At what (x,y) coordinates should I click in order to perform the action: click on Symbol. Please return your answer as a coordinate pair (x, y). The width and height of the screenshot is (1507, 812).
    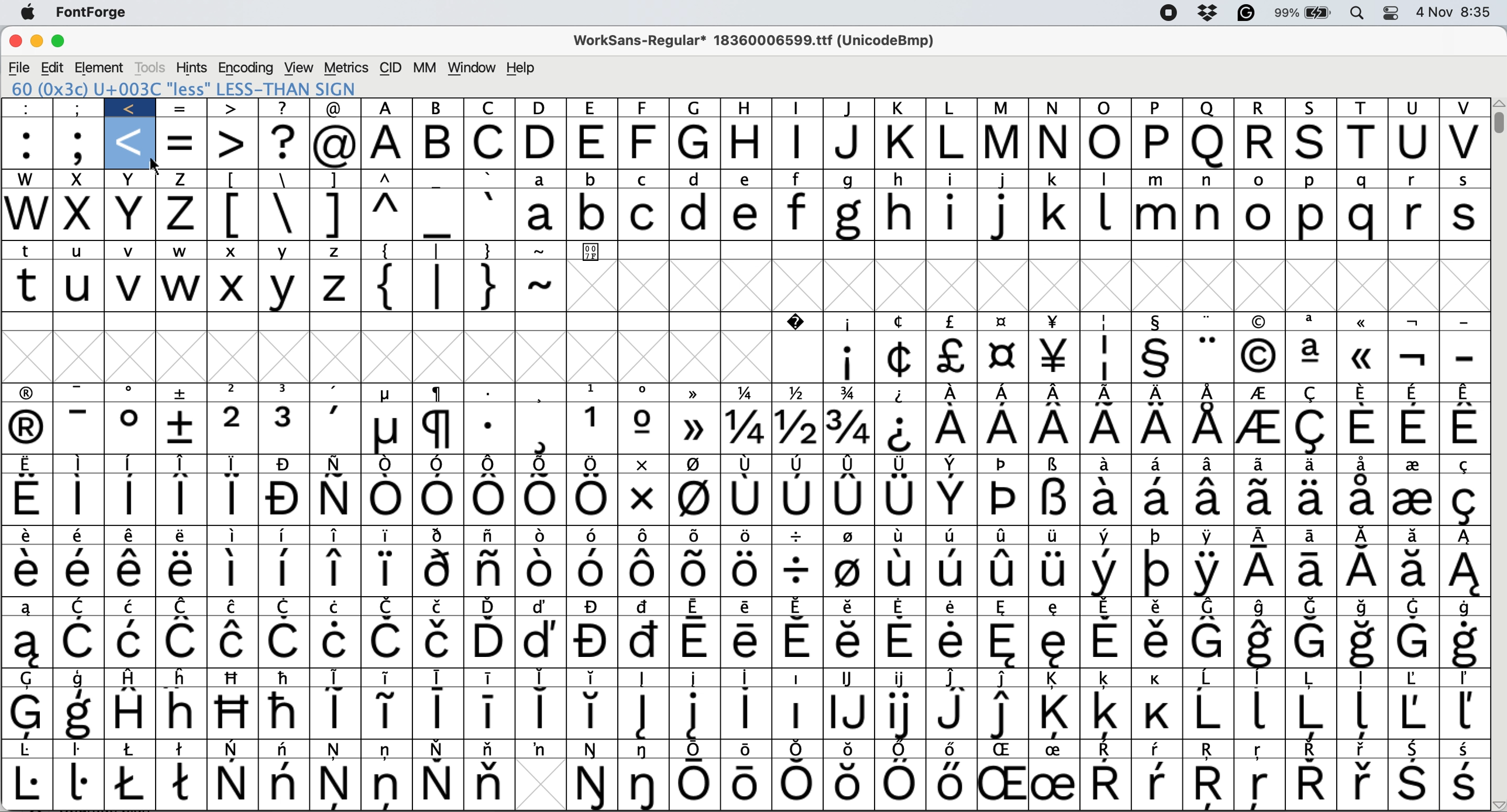
    Looking at the image, I should click on (1363, 536).